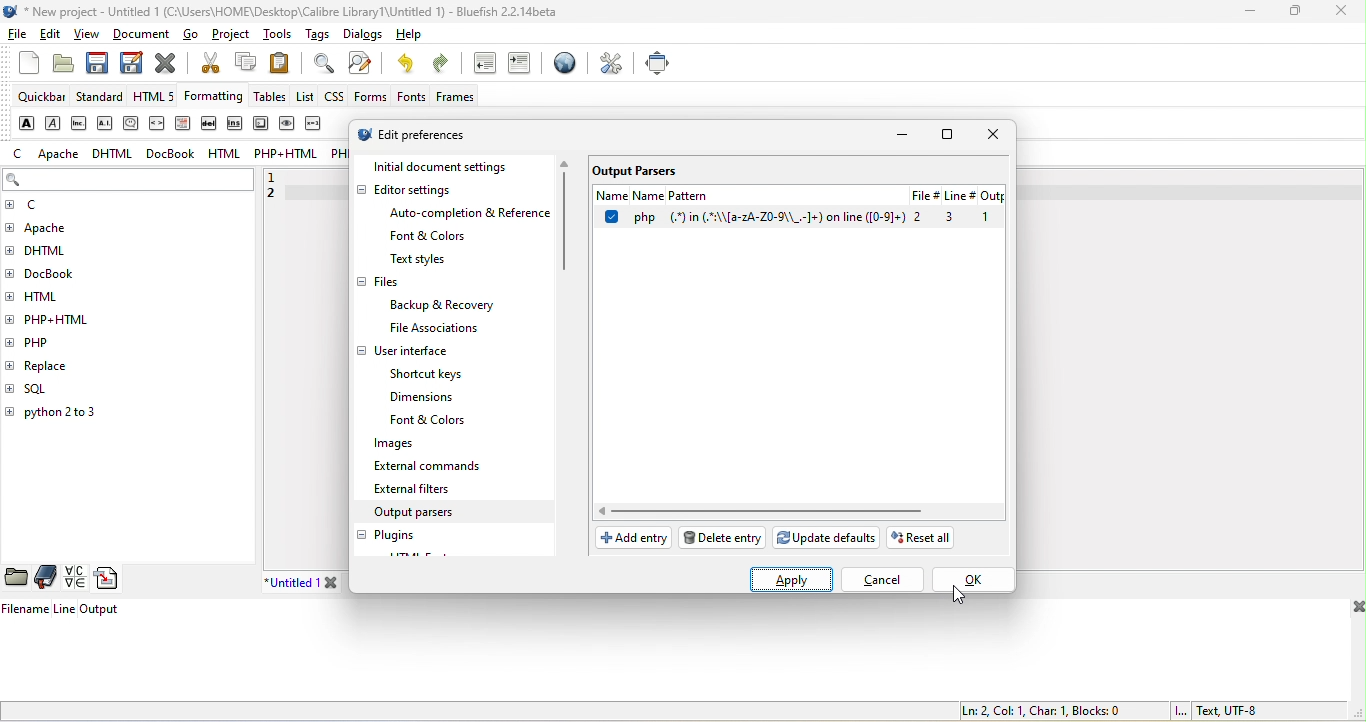 The image size is (1366, 722). Describe the element at coordinates (281, 176) in the screenshot. I see `1` at that location.